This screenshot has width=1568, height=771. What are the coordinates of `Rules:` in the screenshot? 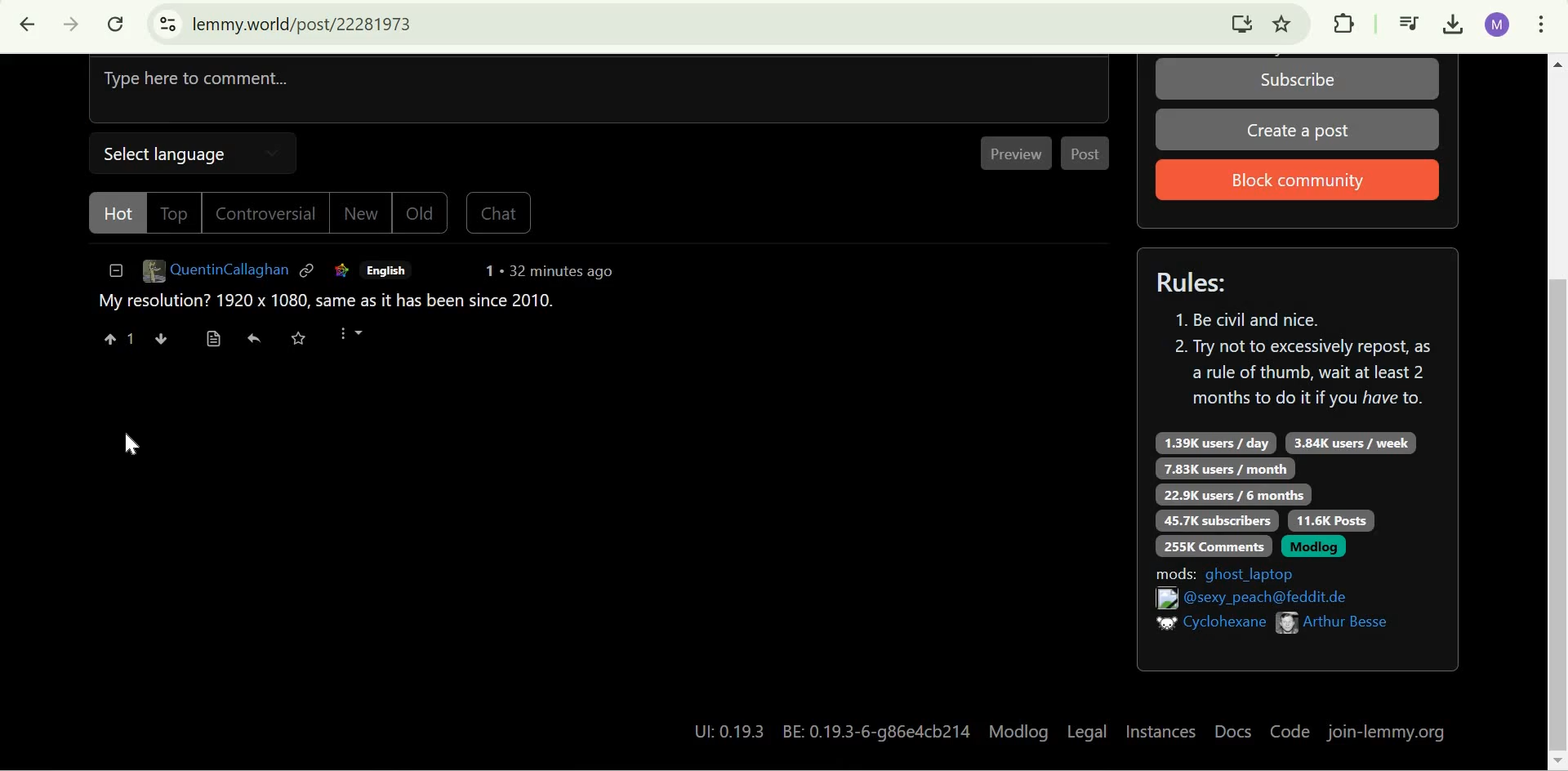 It's located at (1197, 281).